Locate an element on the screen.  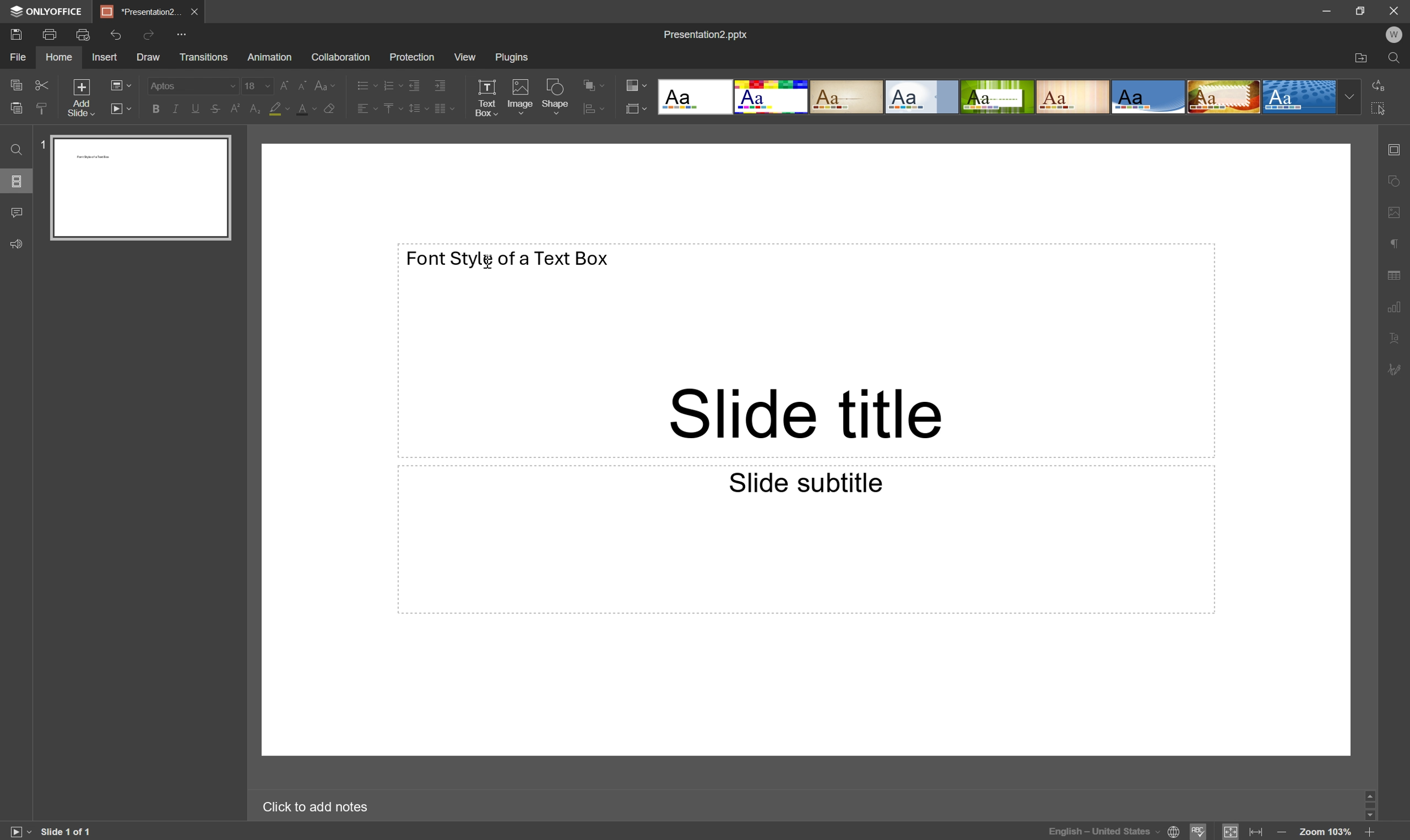
Font Style of a text box is located at coordinates (509, 258).